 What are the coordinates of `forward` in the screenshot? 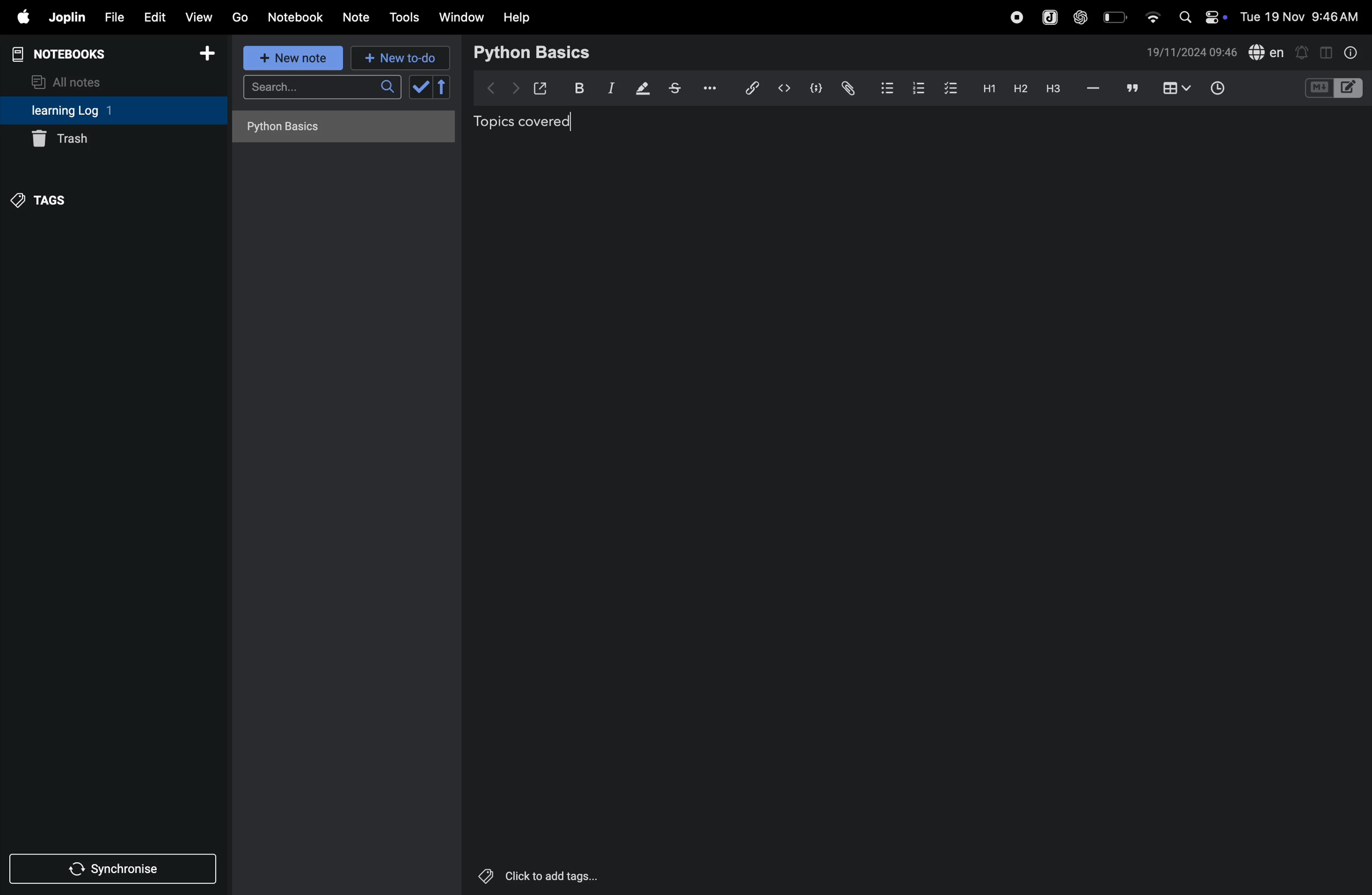 It's located at (515, 88).